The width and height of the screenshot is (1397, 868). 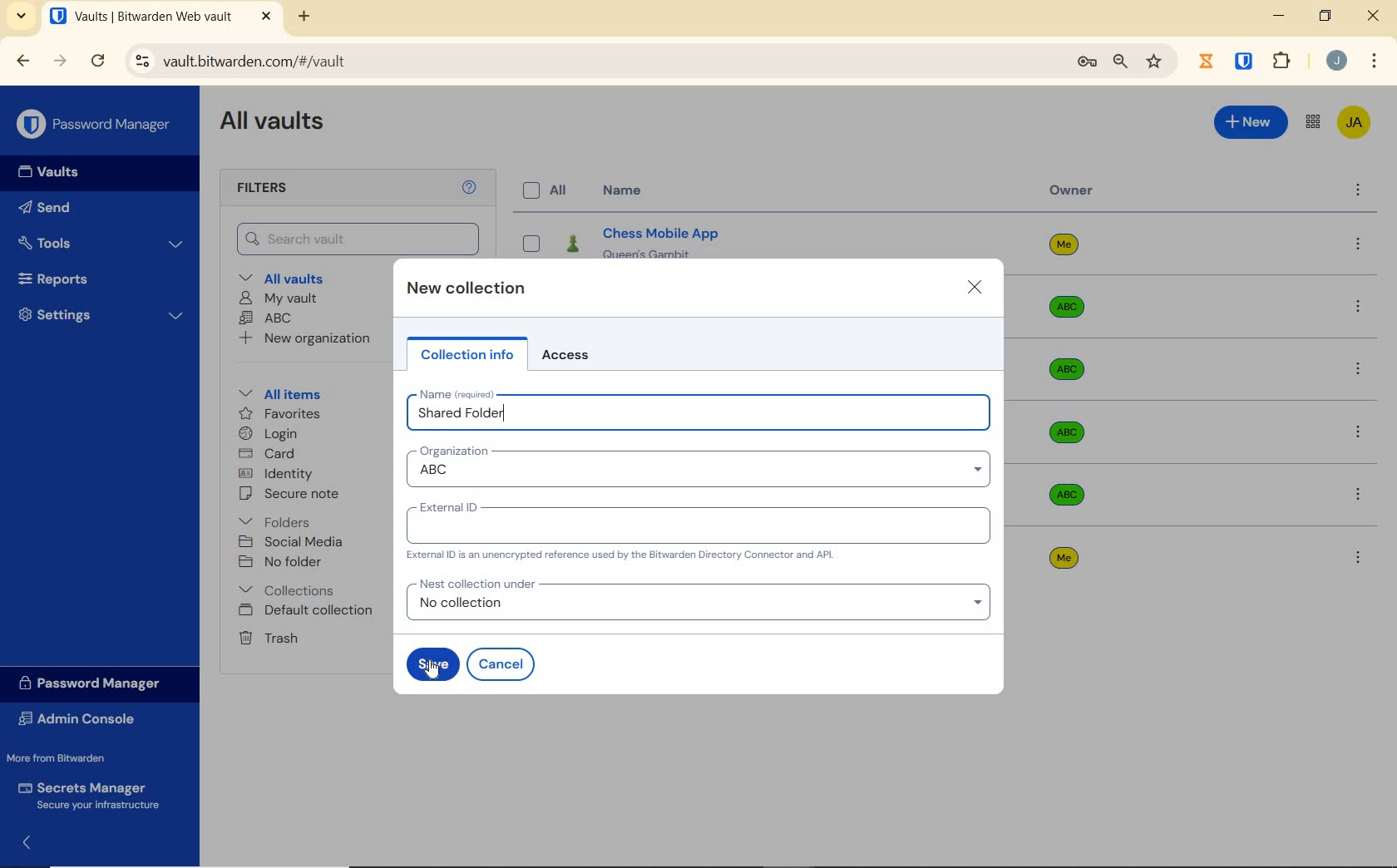 What do you see at coordinates (270, 456) in the screenshot?
I see `card` at bounding box center [270, 456].